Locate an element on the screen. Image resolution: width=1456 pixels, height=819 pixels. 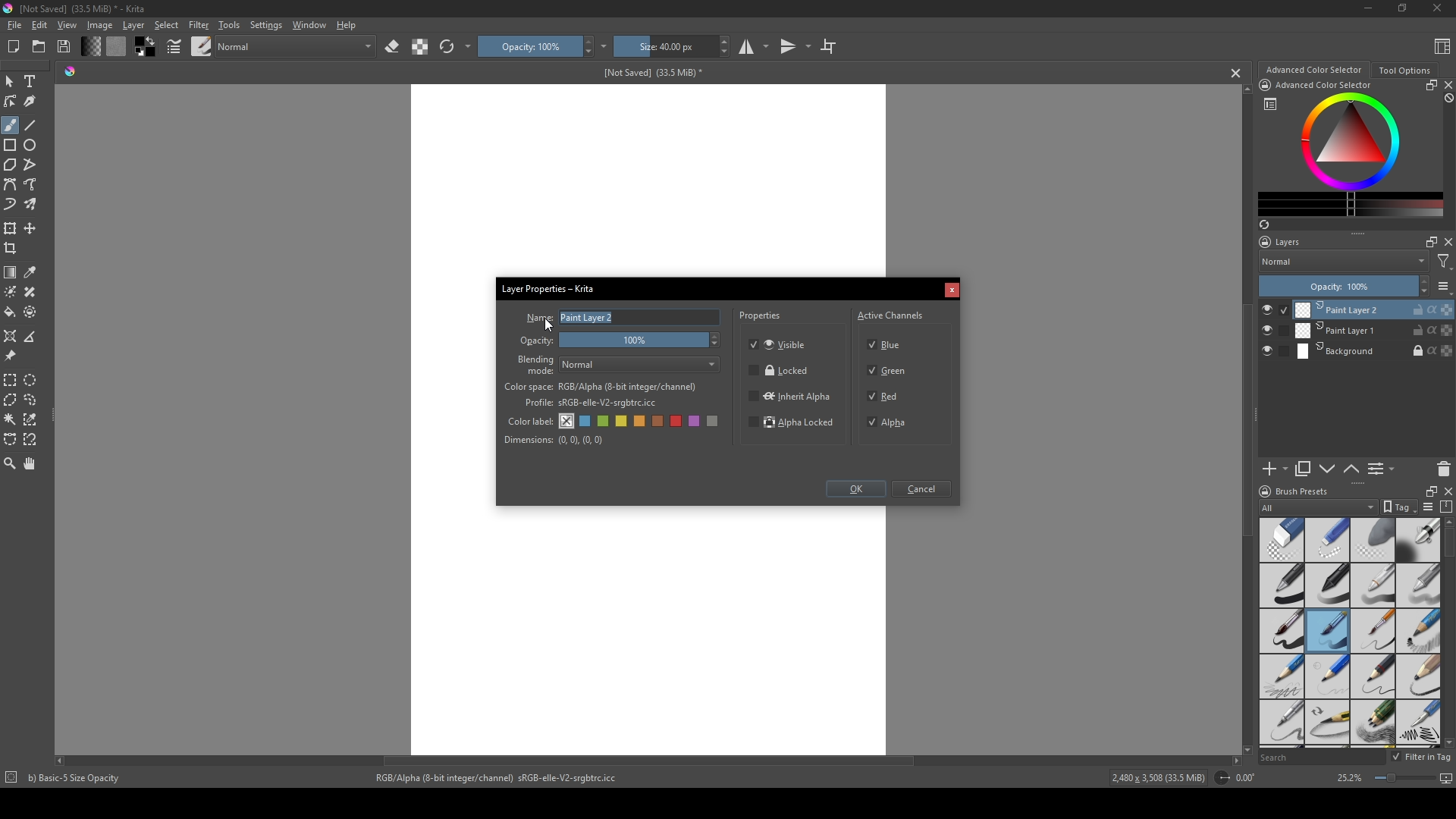
resize is located at coordinates (1428, 490).